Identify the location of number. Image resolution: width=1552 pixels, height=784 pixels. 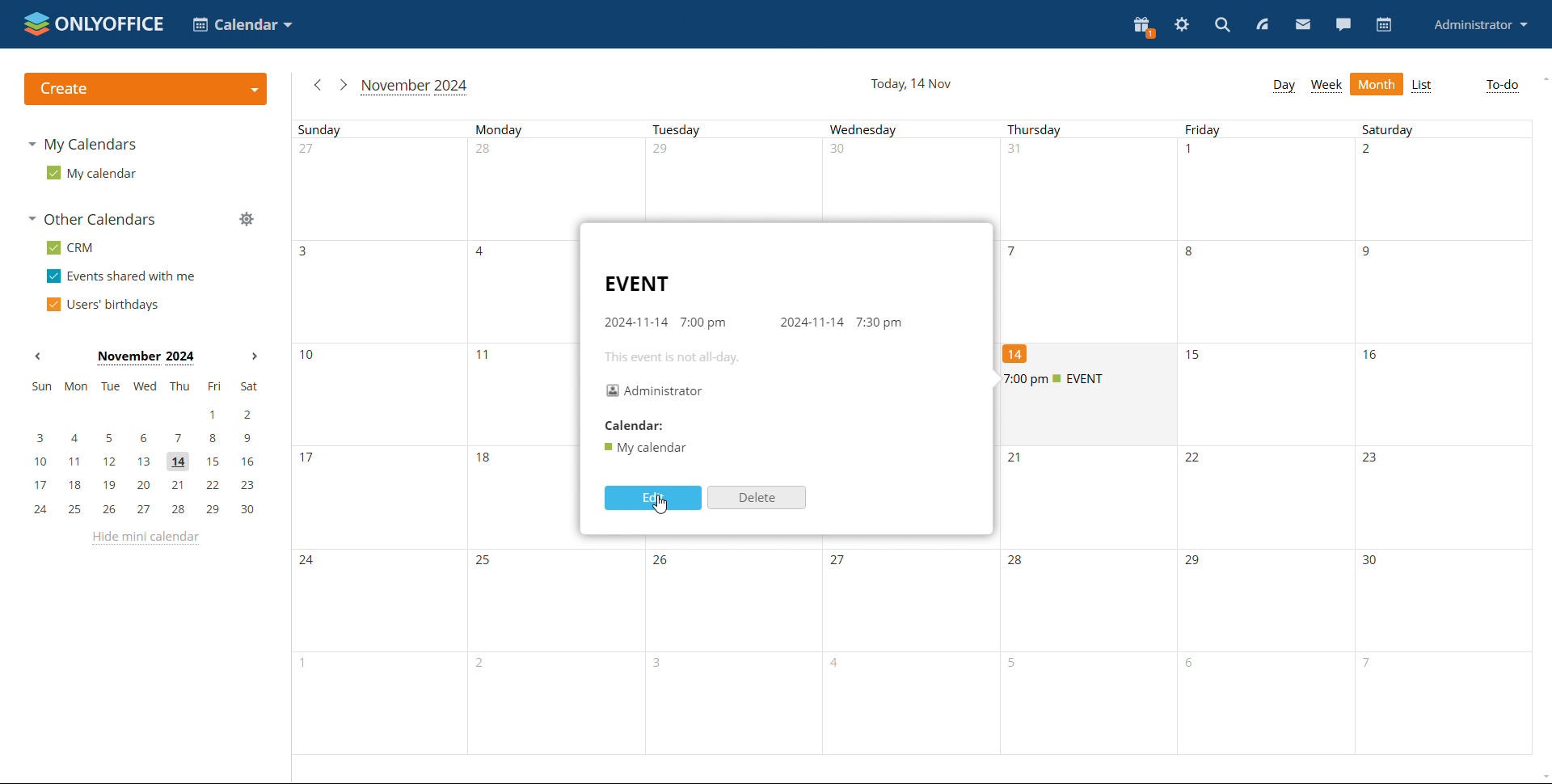
(1197, 461).